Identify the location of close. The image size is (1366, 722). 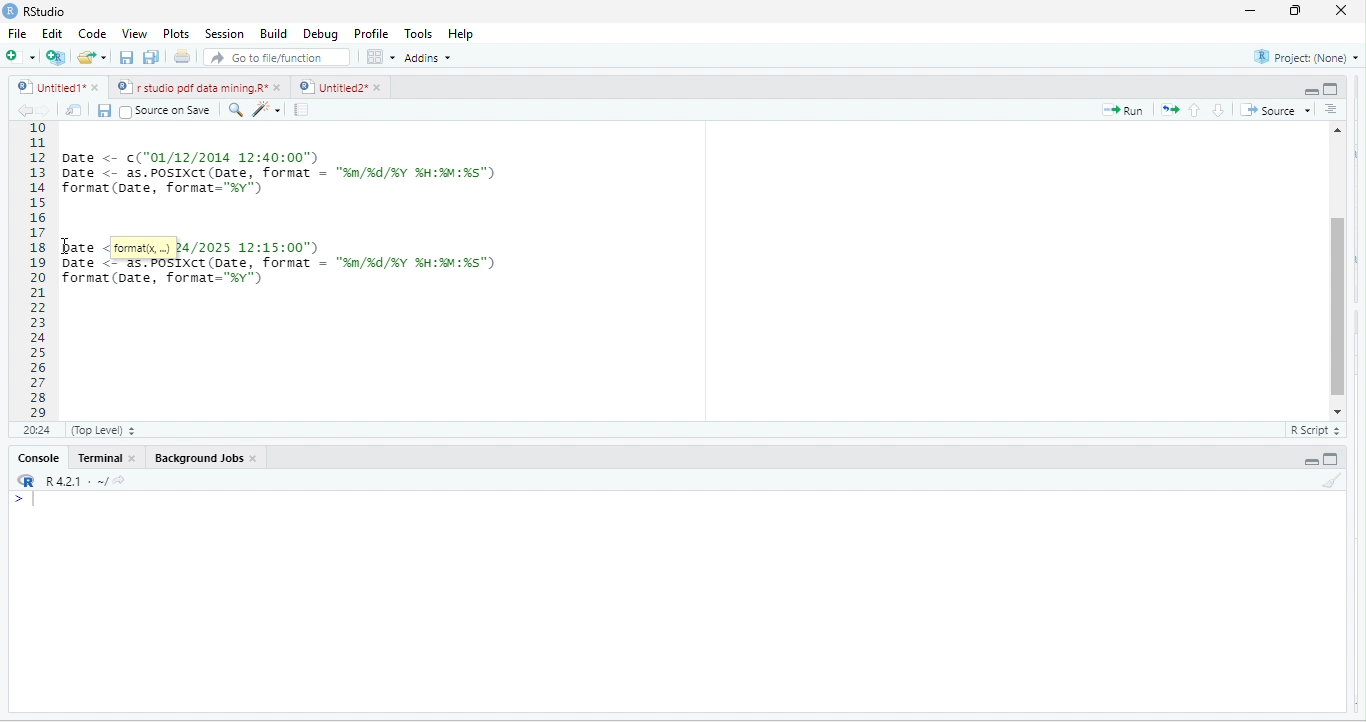
(94, 87).